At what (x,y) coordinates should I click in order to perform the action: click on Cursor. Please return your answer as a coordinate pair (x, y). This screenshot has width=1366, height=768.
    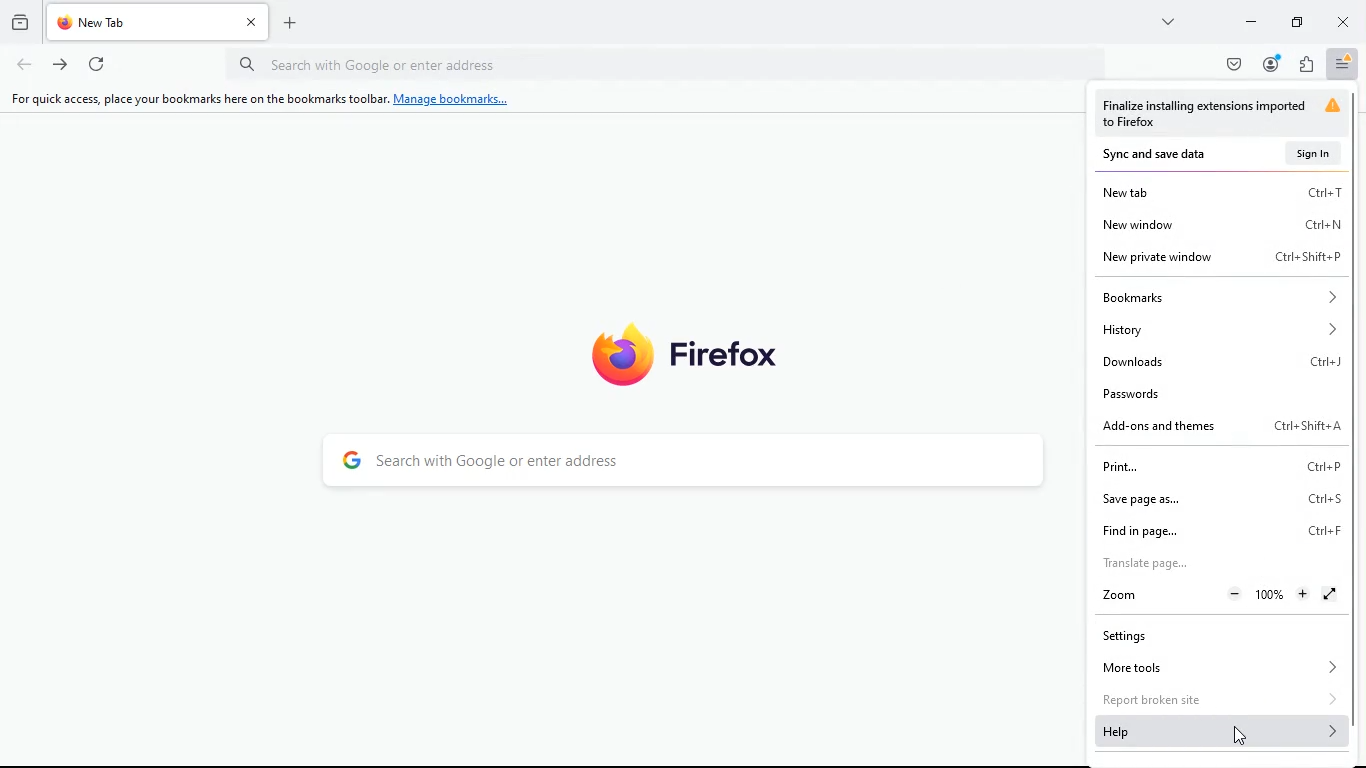
    Looking at the image, I should click on (1242, 734).